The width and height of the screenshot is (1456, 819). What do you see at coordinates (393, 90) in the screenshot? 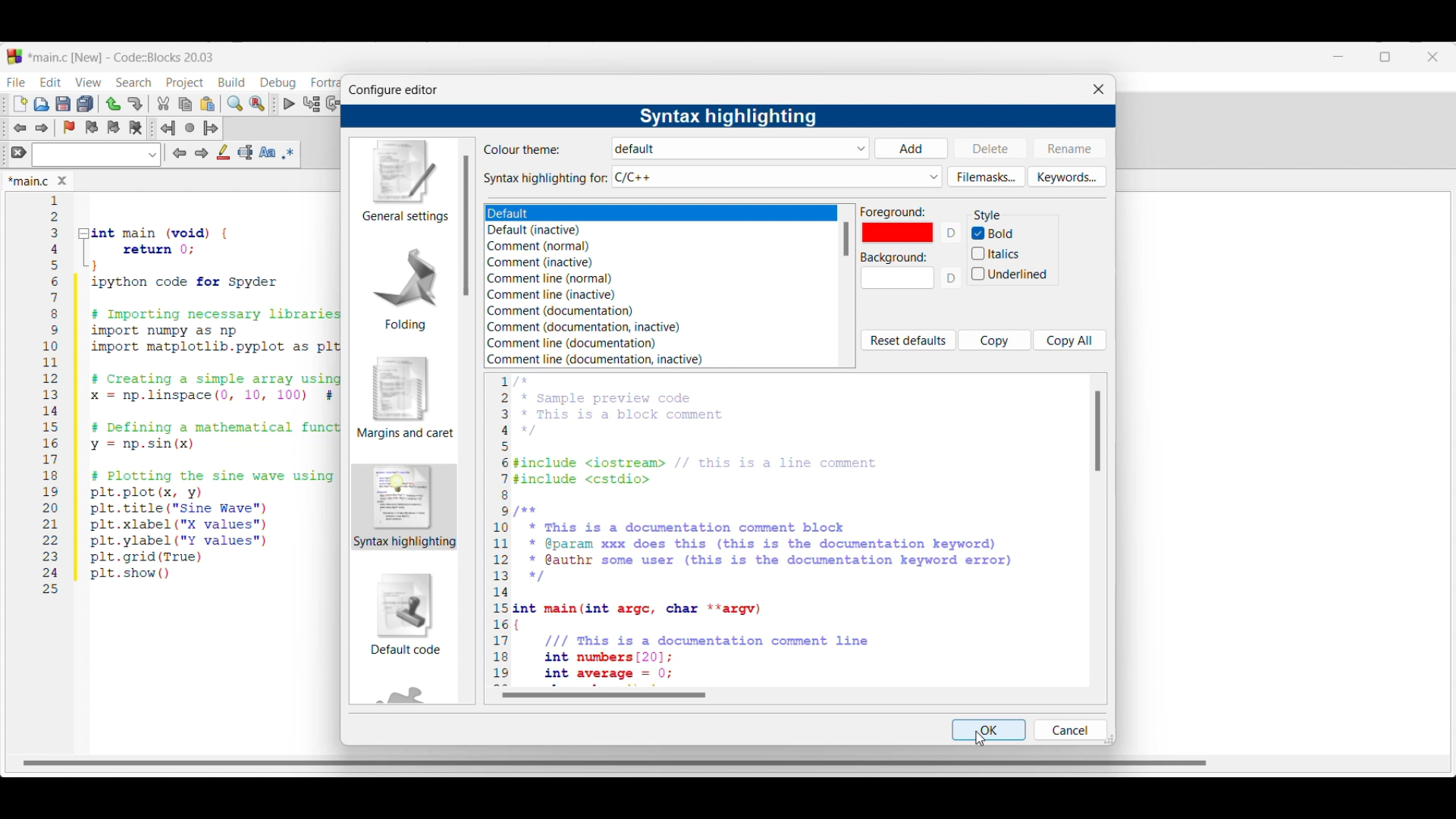
I see `Window title` at bounding box center [393, 90].